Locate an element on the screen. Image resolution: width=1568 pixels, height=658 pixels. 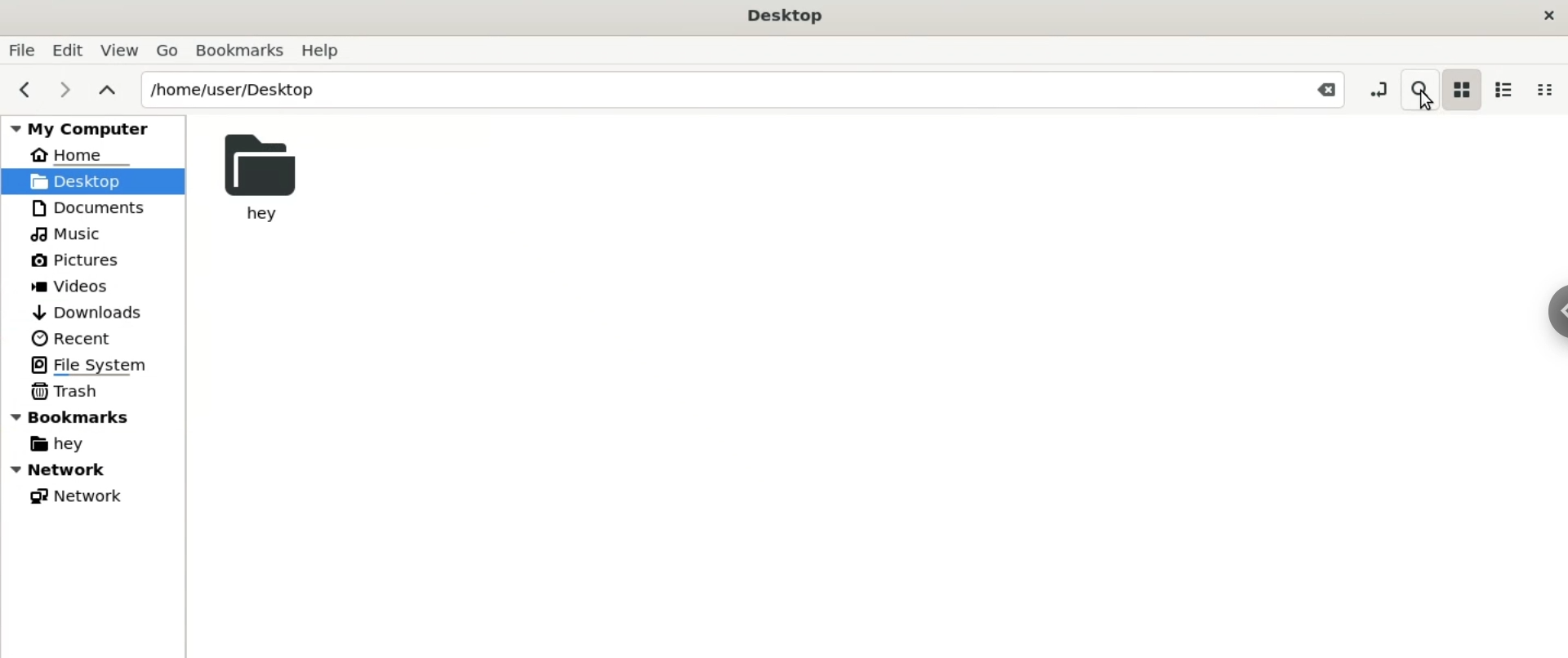
Desktop is located at coordinates (779, 15).